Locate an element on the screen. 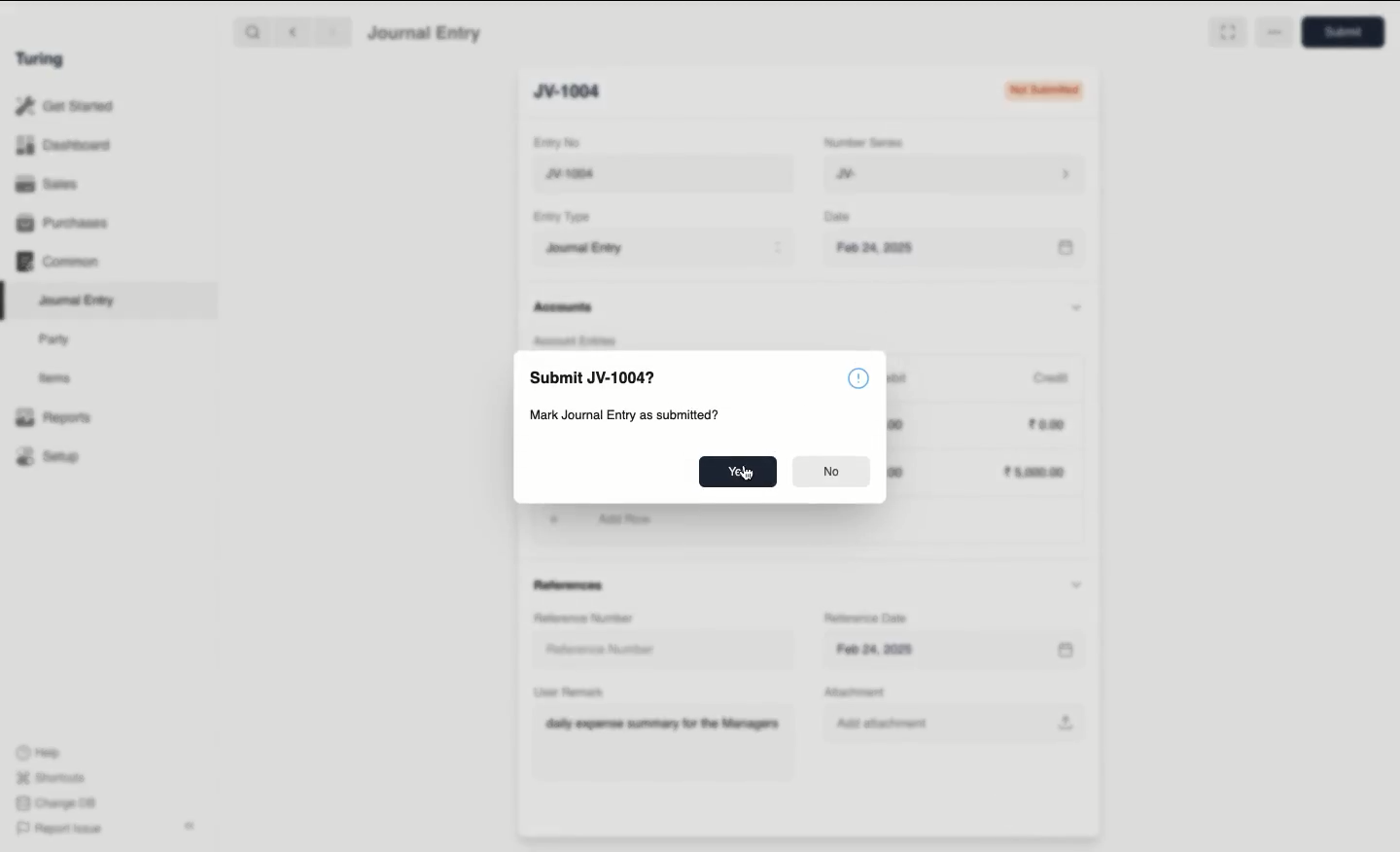 Image resolution: width=1400 pixels, height=852 pixels. Report Issue is located at coordinates (61, 830).